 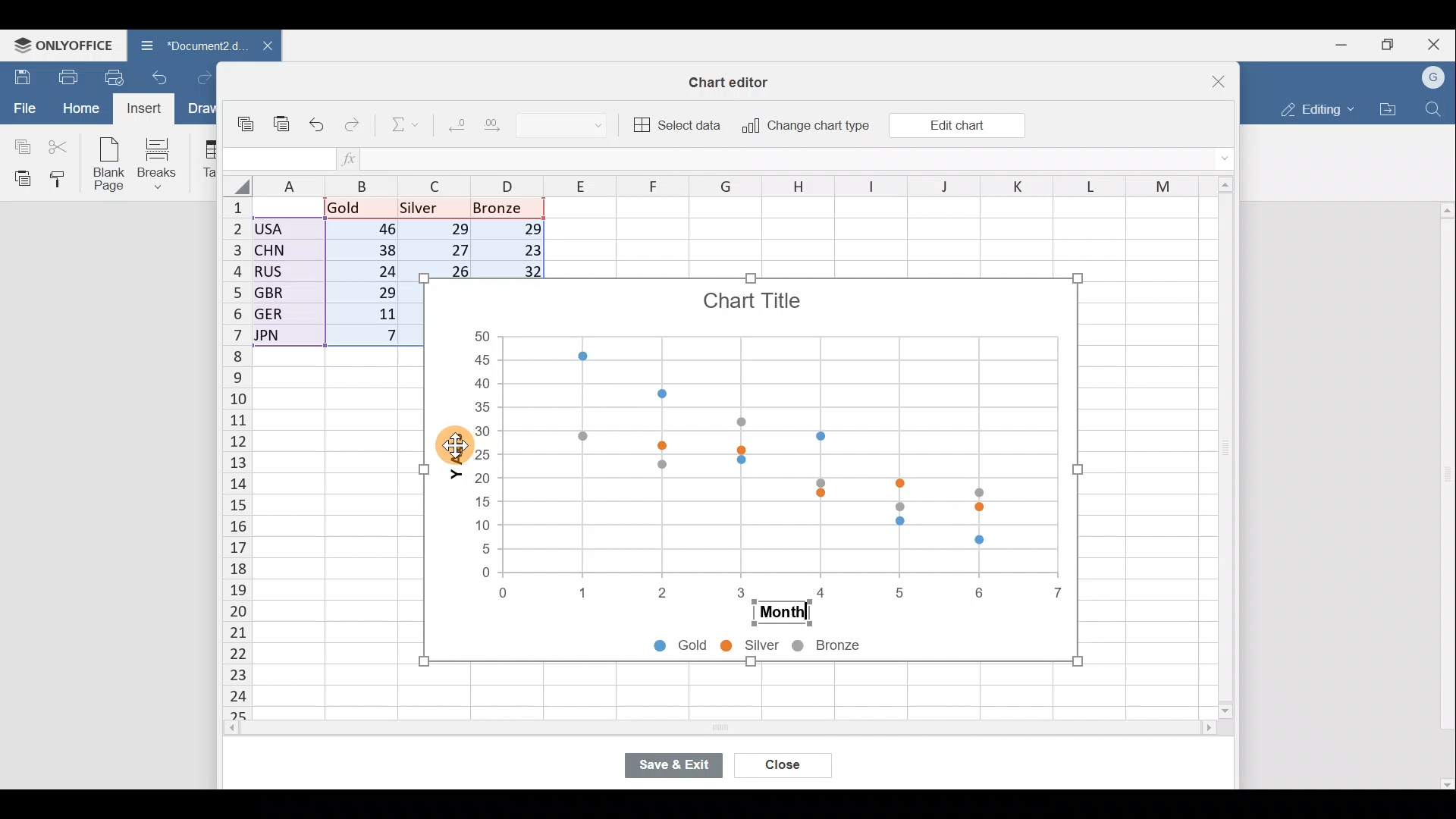 I want to click on Formula bar, so click(x=791, y=160).